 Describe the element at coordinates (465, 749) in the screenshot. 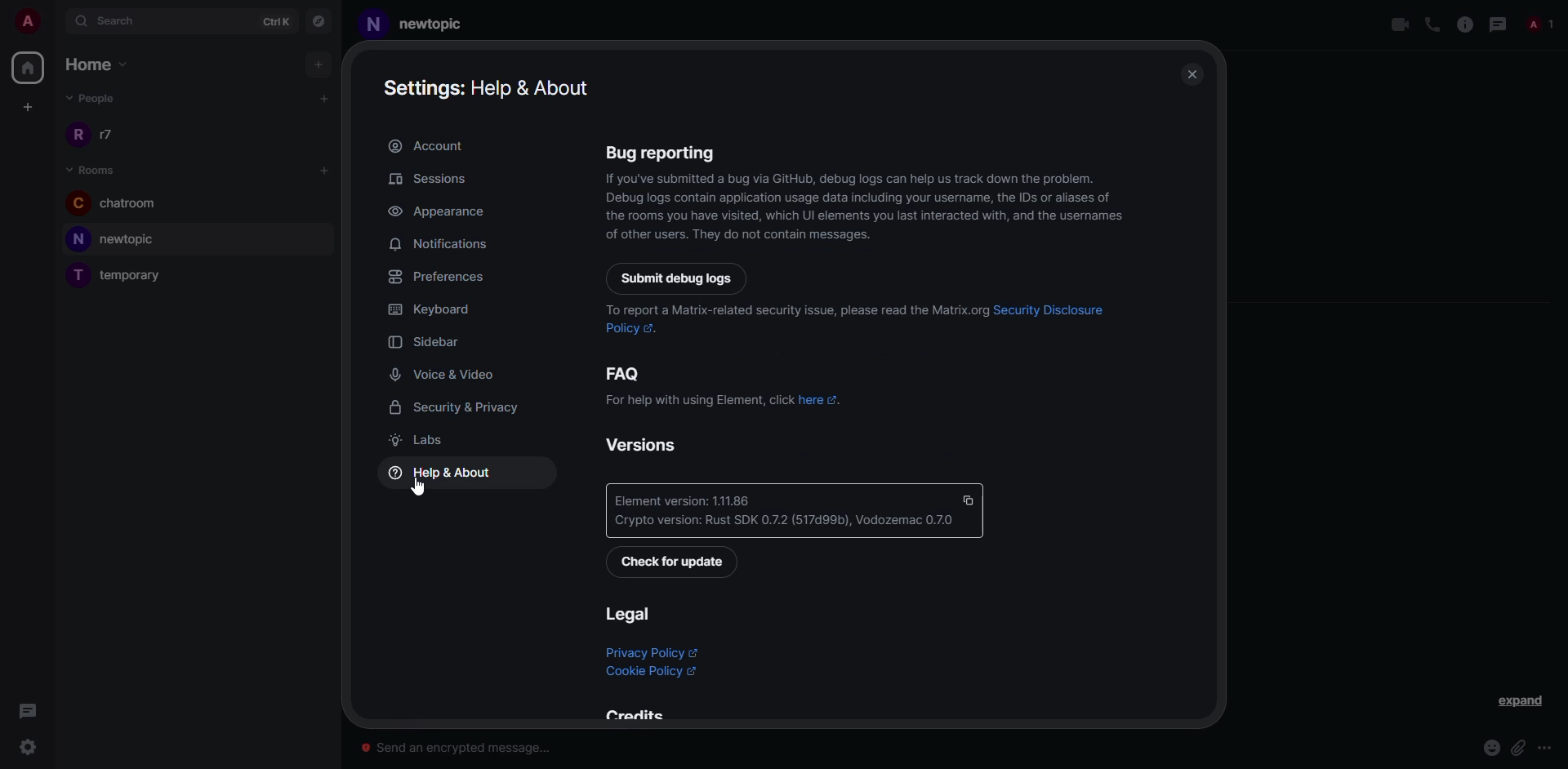

I see `send an encrypted message` at that location.